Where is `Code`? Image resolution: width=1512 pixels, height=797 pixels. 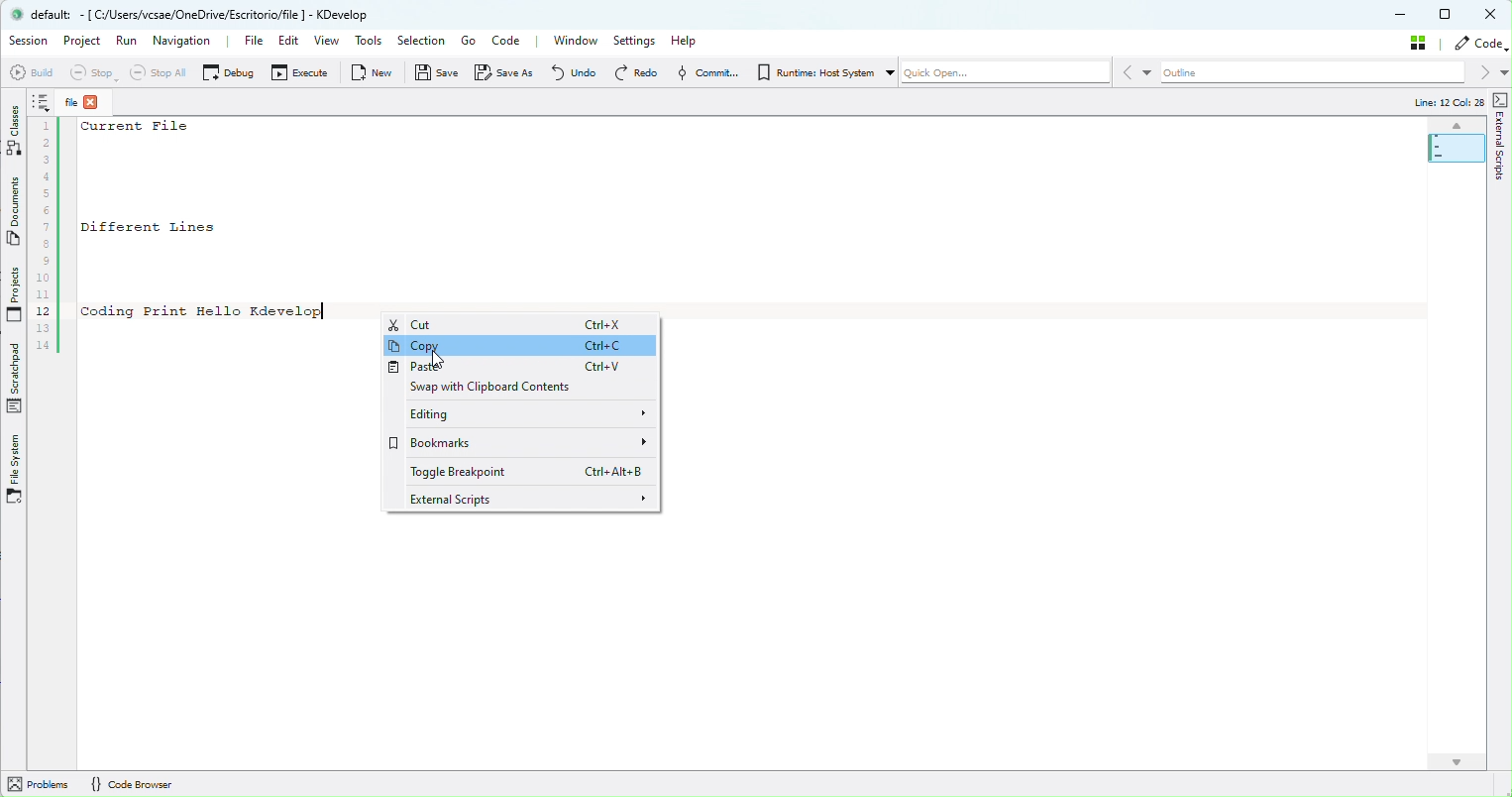
Code is located at coordinates (1480, 43).